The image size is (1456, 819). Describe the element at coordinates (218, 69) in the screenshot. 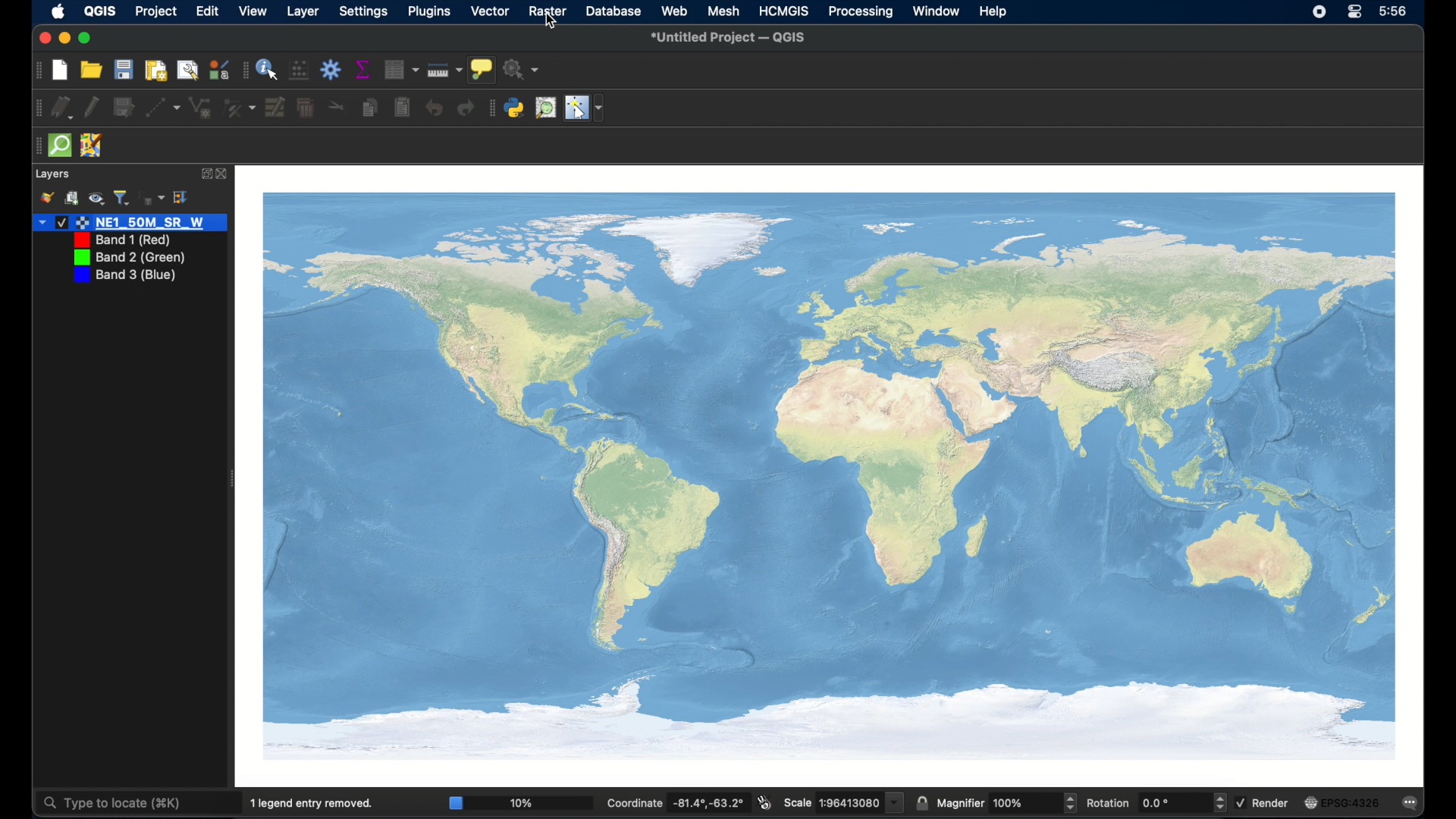

I see `style manager` at that location.